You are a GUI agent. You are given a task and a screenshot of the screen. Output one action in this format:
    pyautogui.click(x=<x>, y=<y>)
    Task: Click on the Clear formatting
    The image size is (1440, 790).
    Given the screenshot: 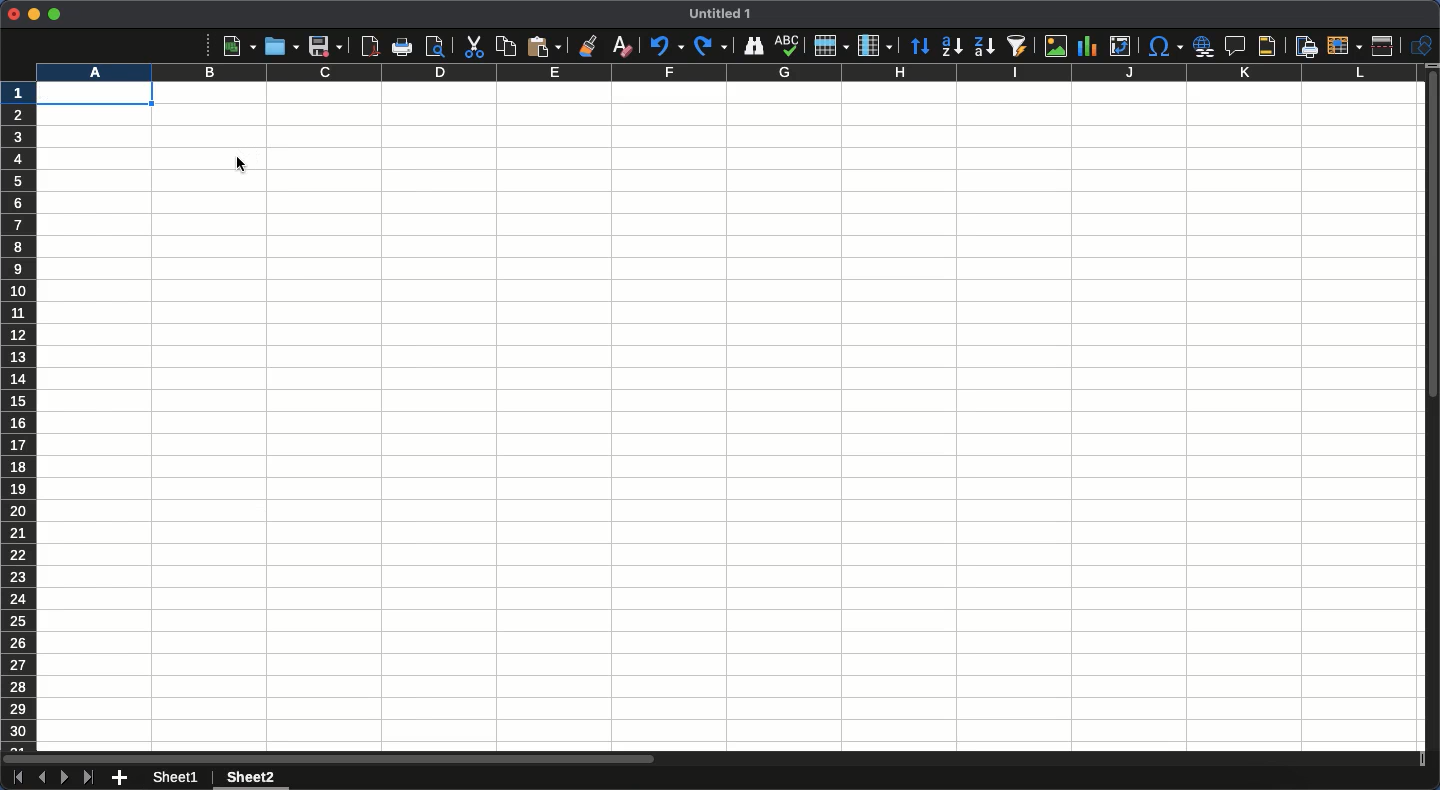 What is the action you would take?
    pyautogui.click(x=623, y=45)
    